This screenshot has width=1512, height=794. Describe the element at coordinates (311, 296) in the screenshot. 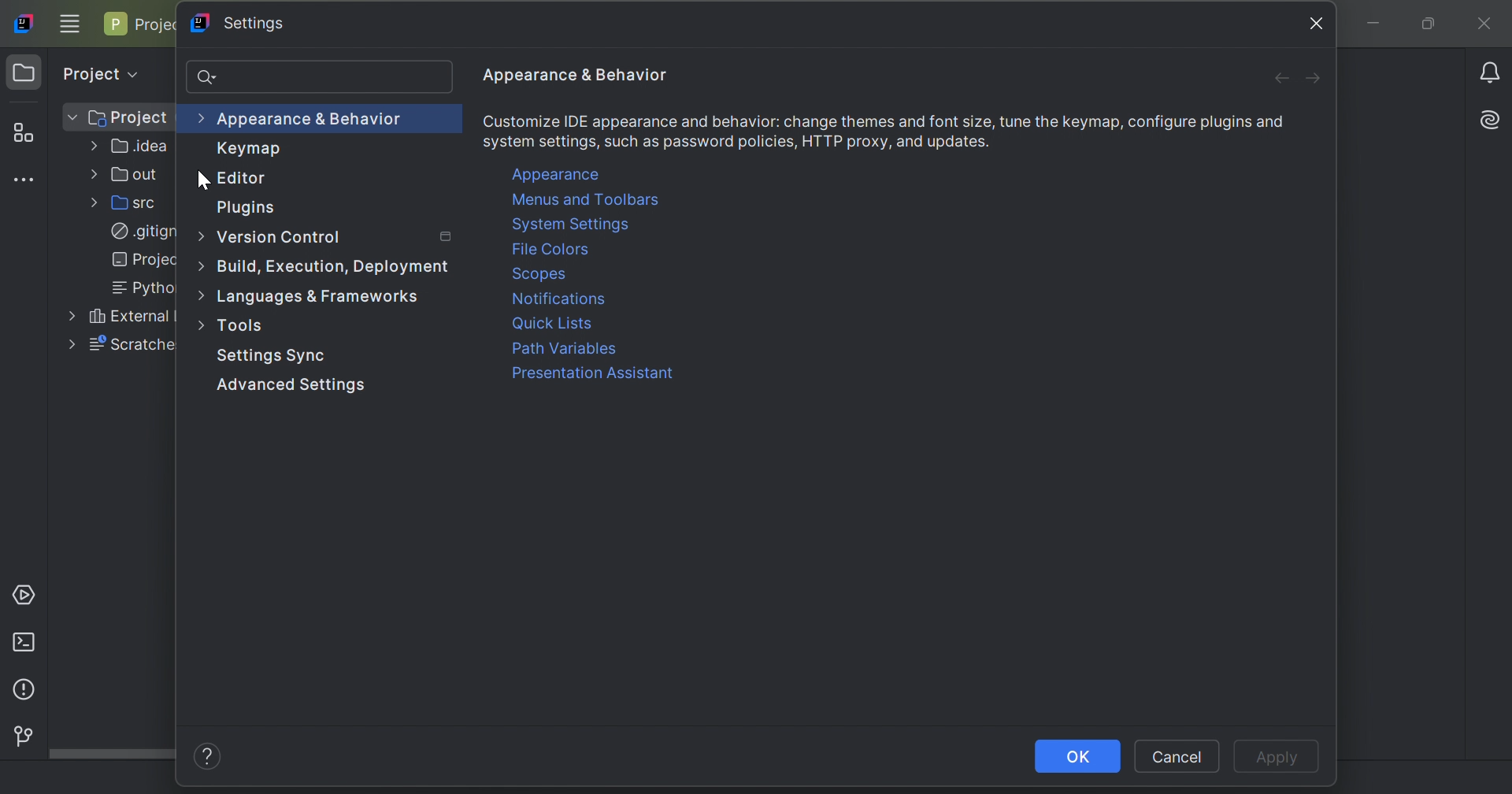

I see `Languages & Frameworks` at that location.